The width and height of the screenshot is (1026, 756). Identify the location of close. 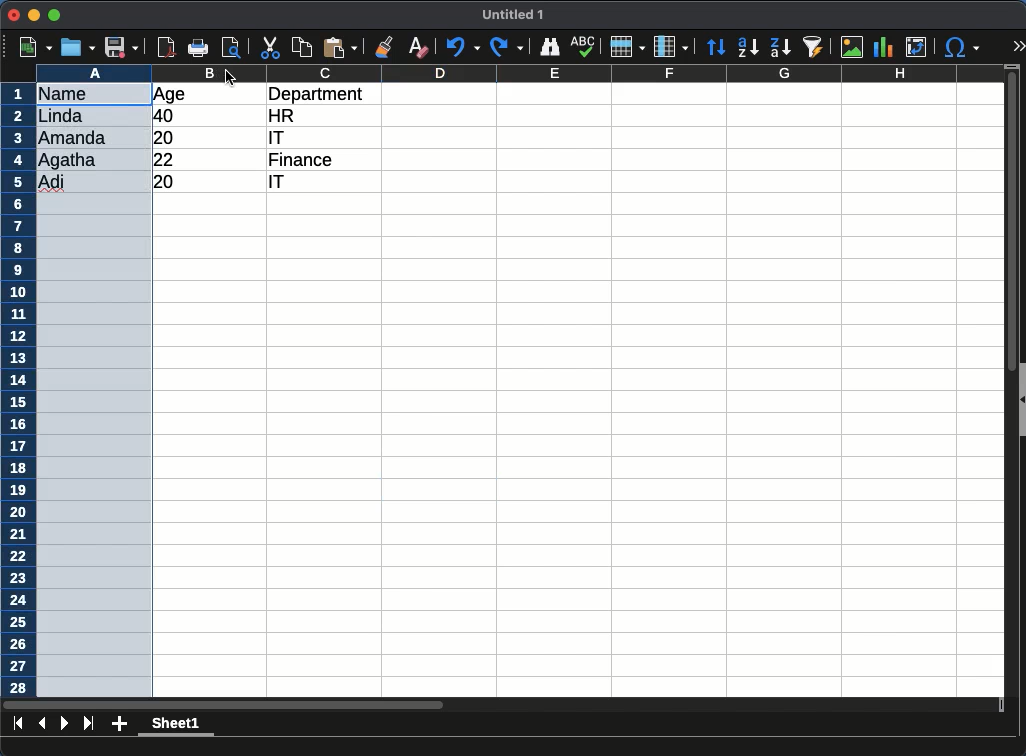
(14, 16).